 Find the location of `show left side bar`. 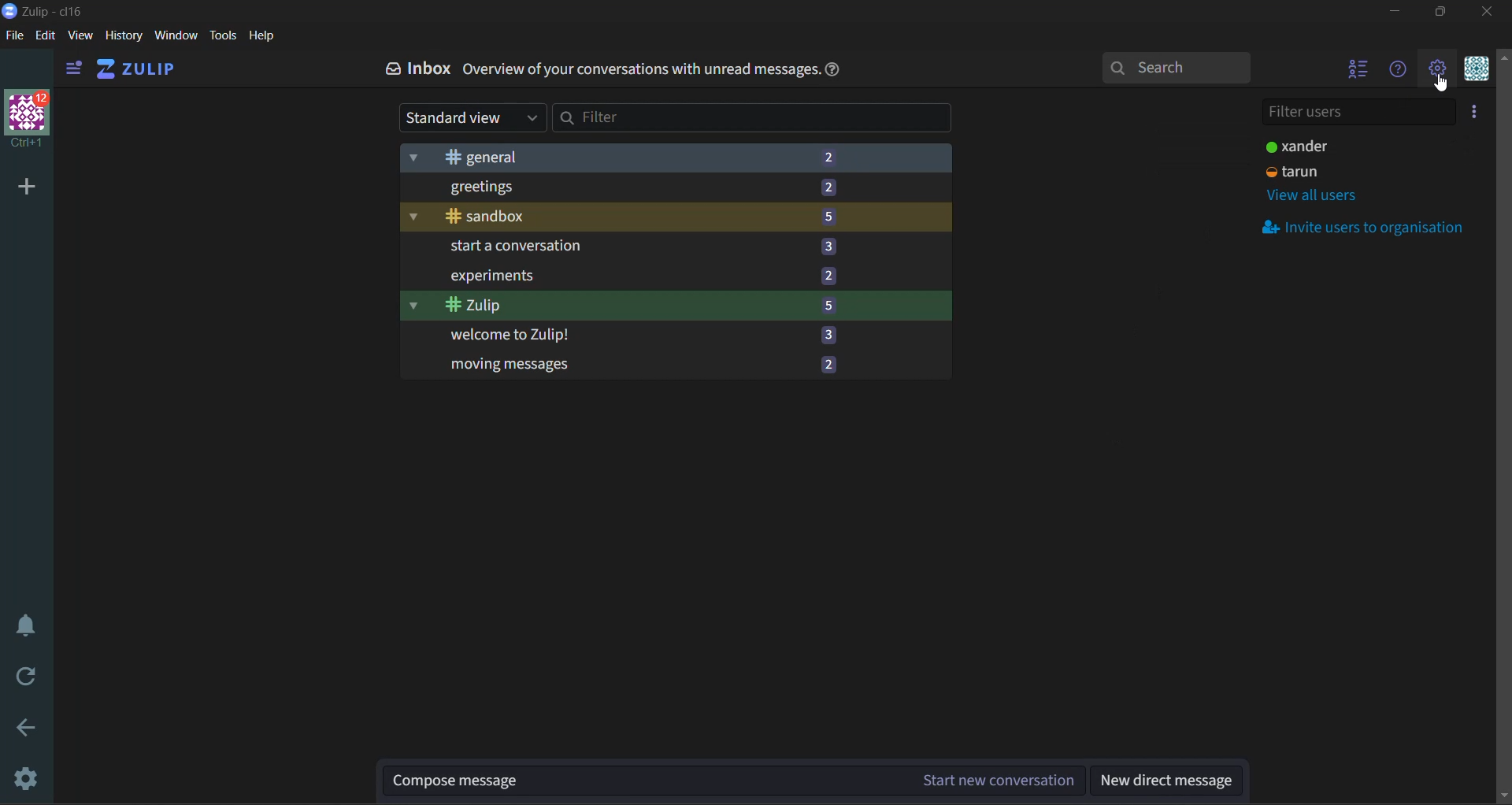

show left side bar is located at coordinates (73, 69).